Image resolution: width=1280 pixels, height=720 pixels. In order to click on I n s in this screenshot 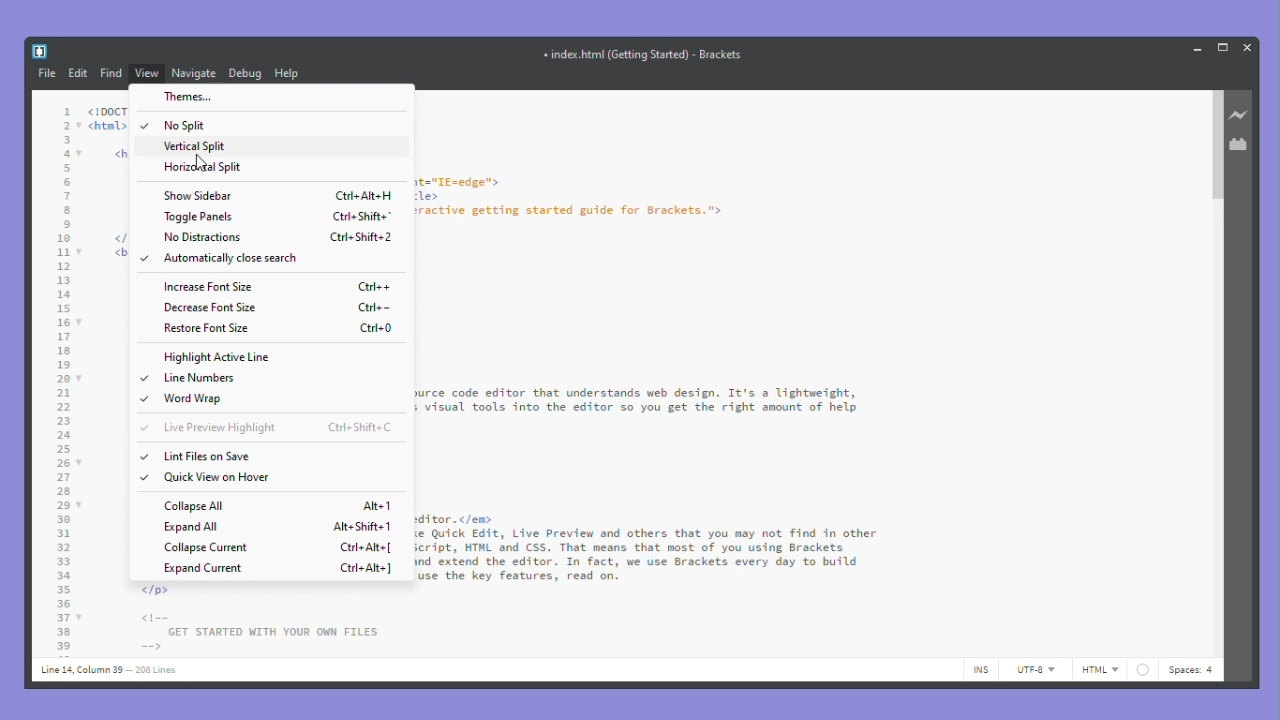, I will do `click(982, 669)`.